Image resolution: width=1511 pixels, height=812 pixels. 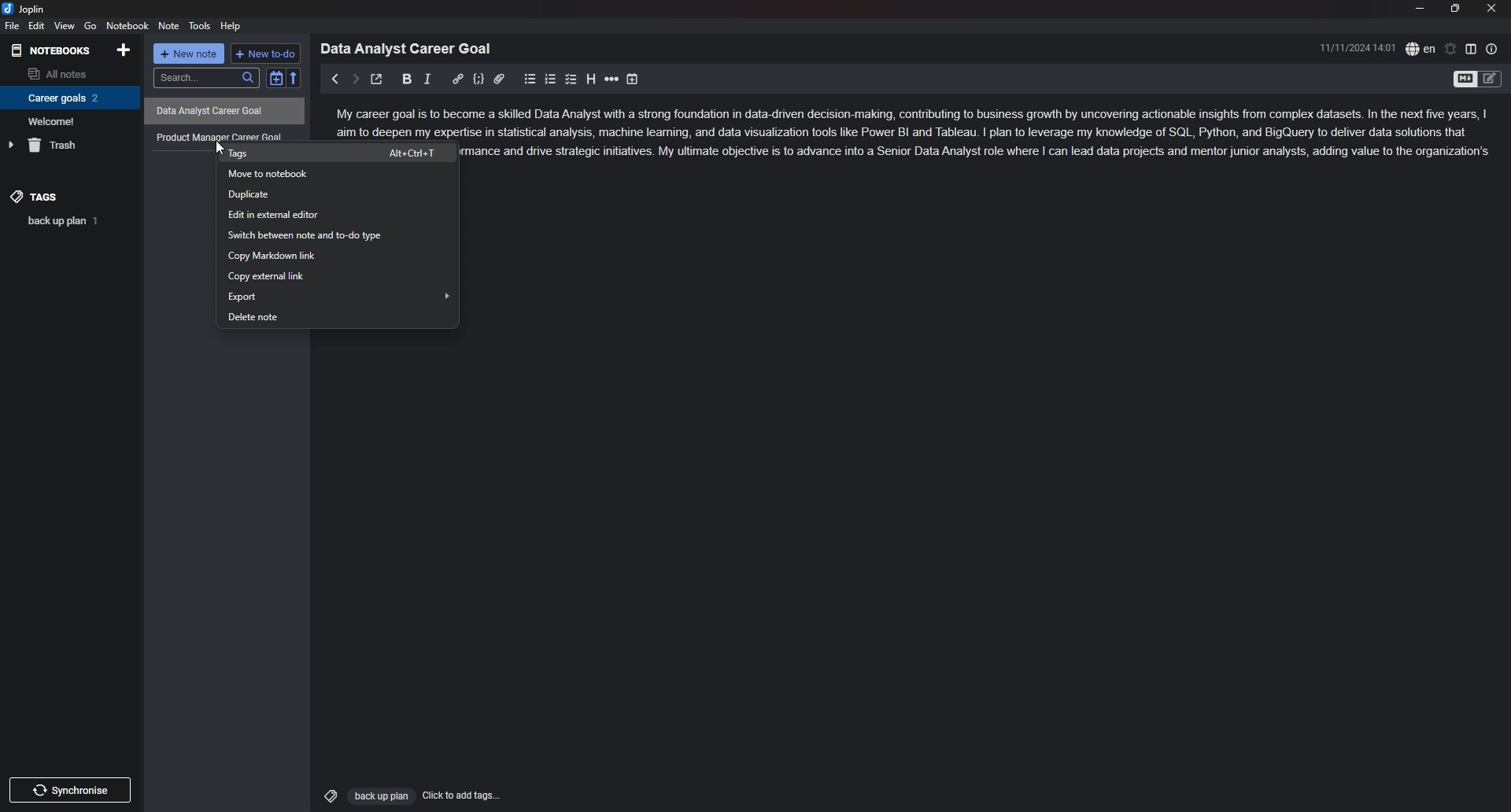 What do you see at coordinates (200, 26) in the screenshot?
I see `tools` at bounding box center [200, 26].